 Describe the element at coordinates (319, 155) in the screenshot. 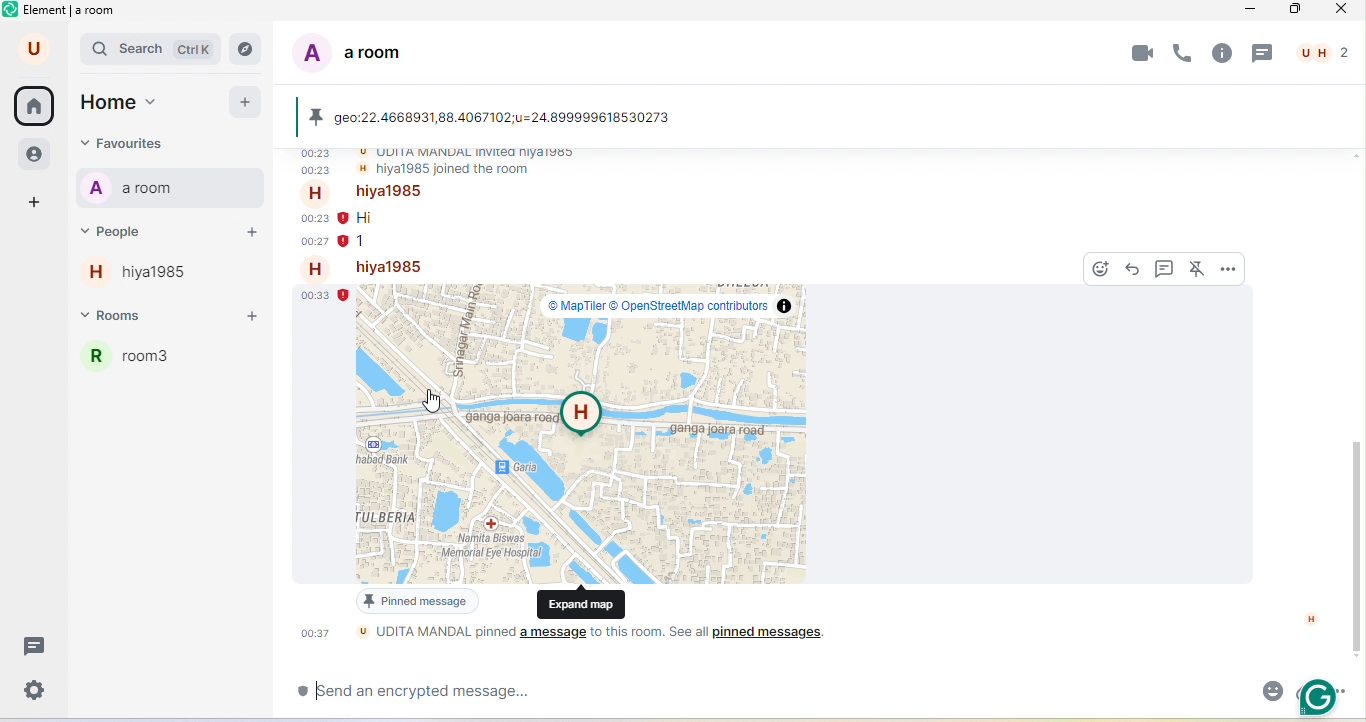

I see `00.23` at that location.